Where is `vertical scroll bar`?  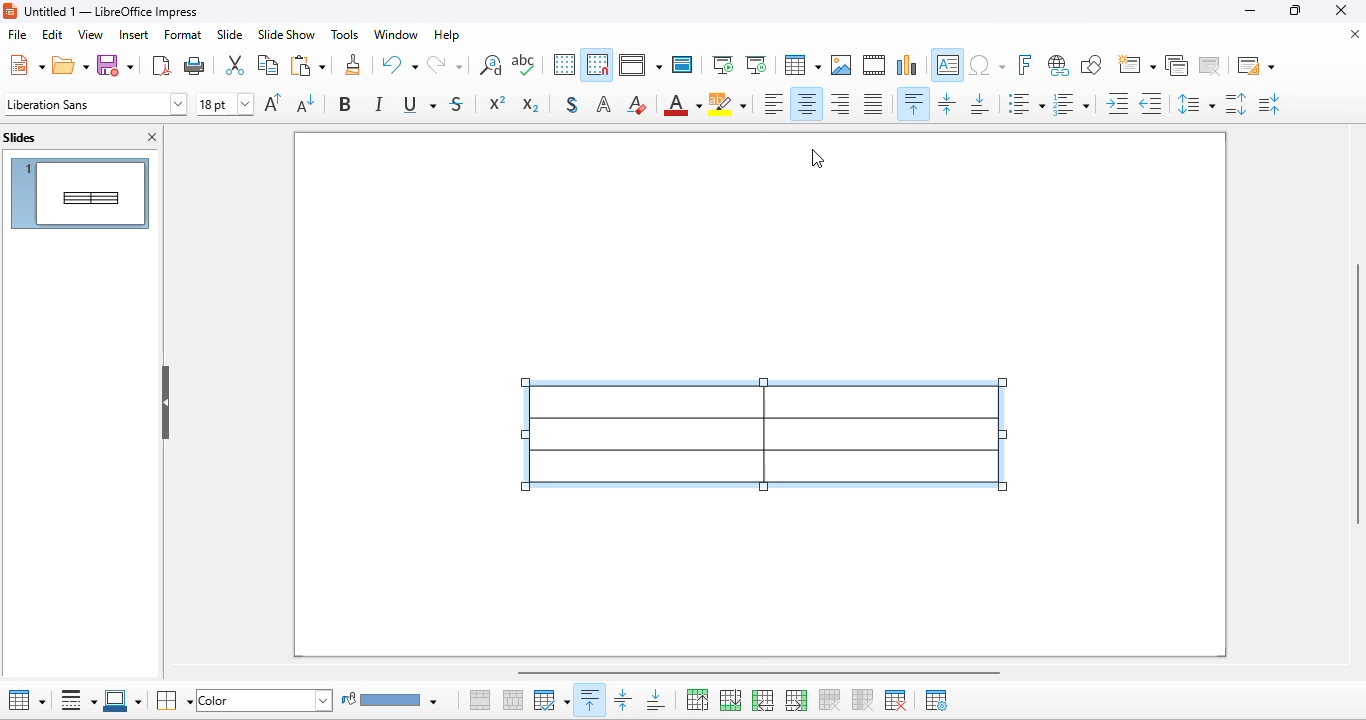
vertical scroll bar is located at coordinates (1356, 393).